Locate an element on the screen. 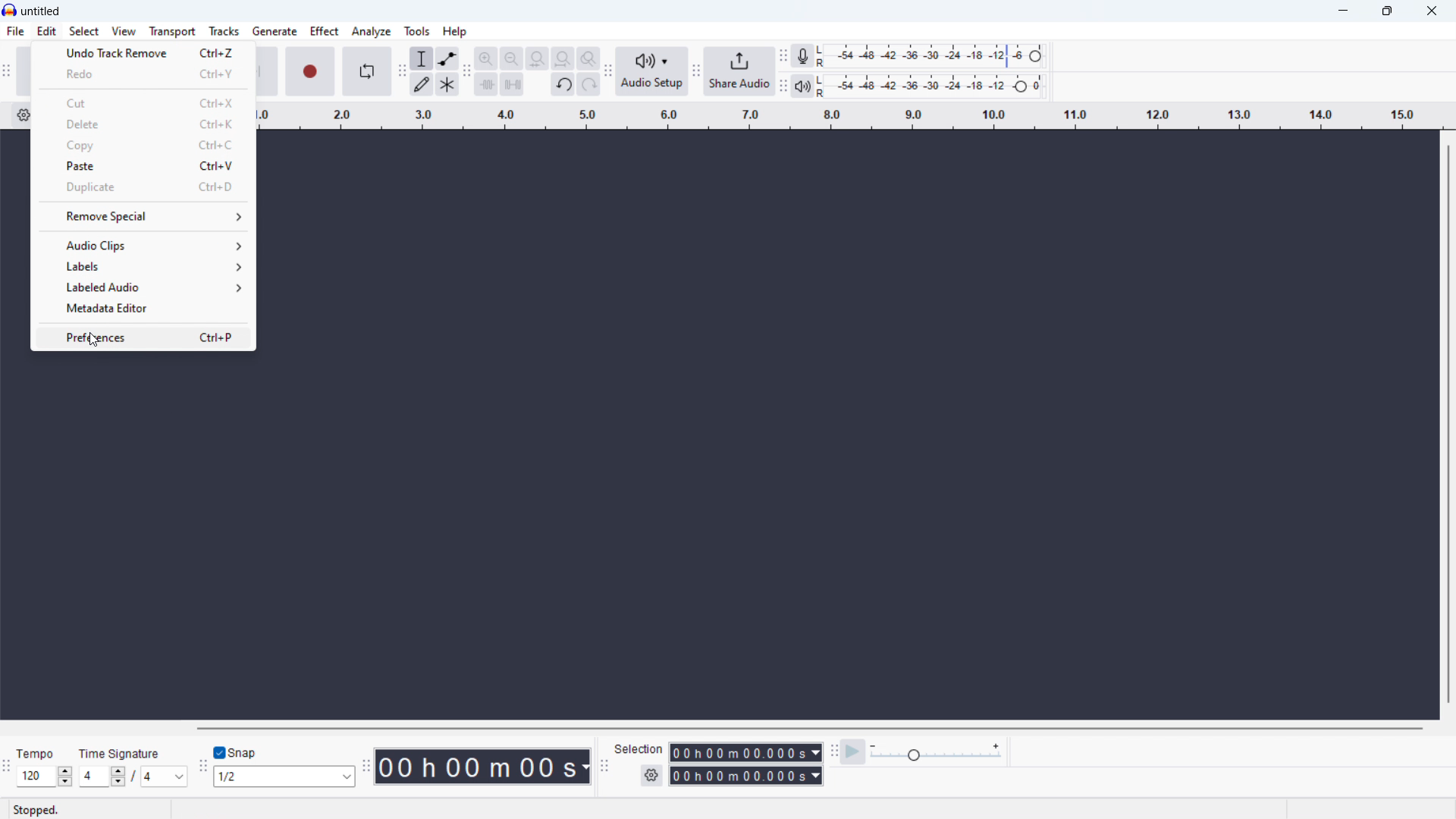  multi tool is located at coordinates (447, 84).